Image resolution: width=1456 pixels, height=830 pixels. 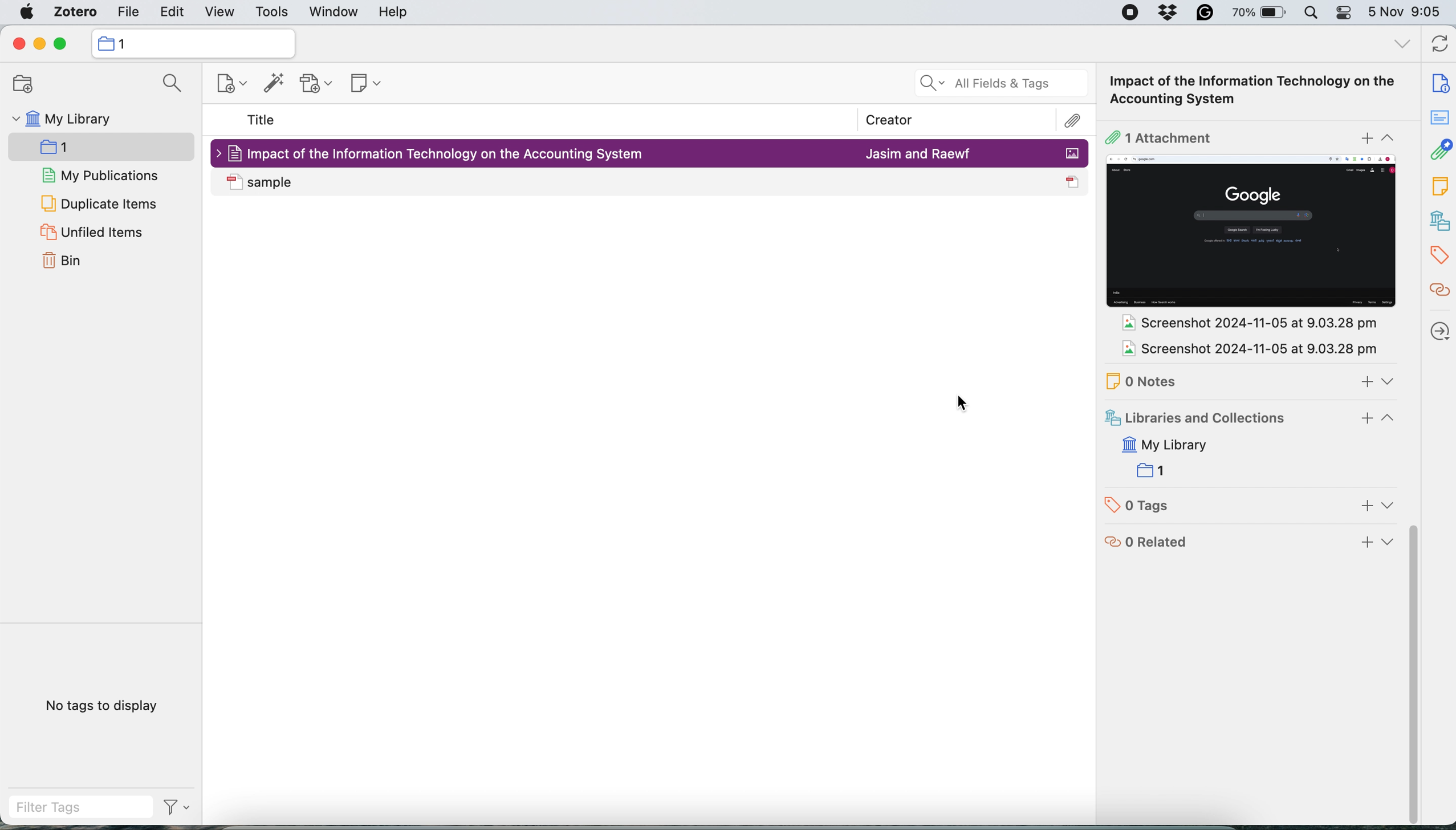 I want to click on duplicate items, so click(x=99, y=203).